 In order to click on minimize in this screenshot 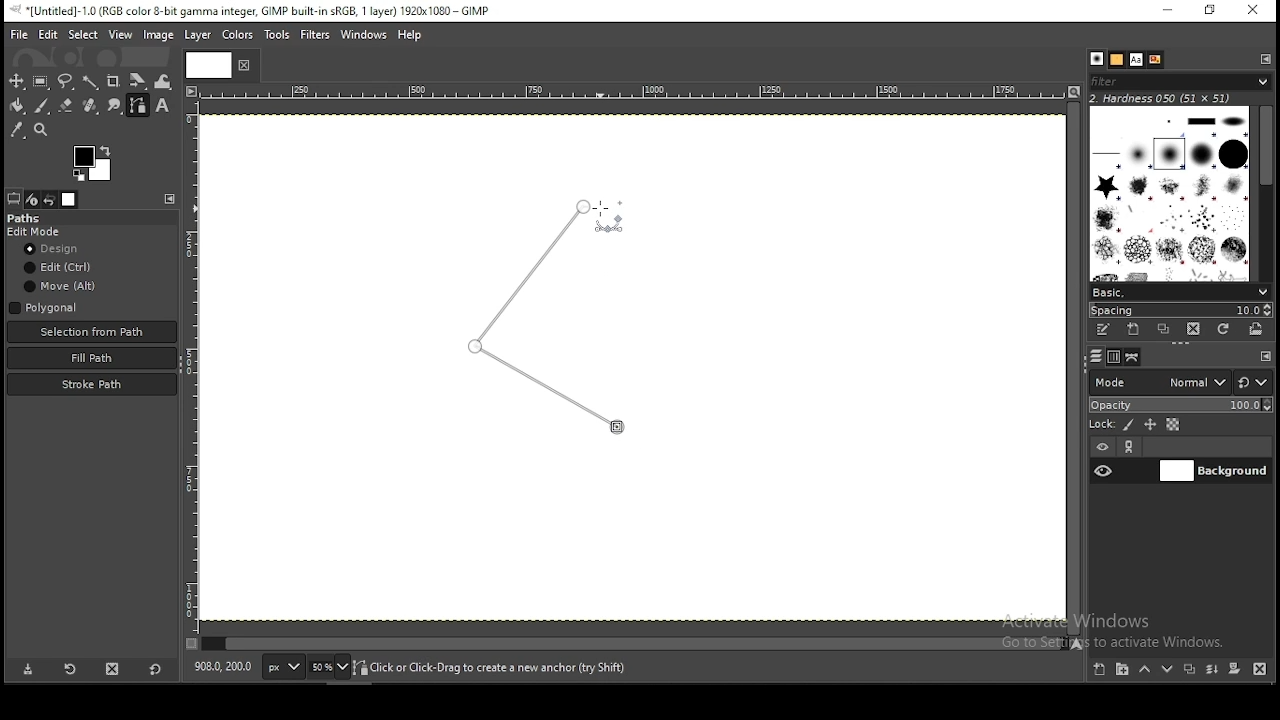, I will do `click(1169, 10)`.